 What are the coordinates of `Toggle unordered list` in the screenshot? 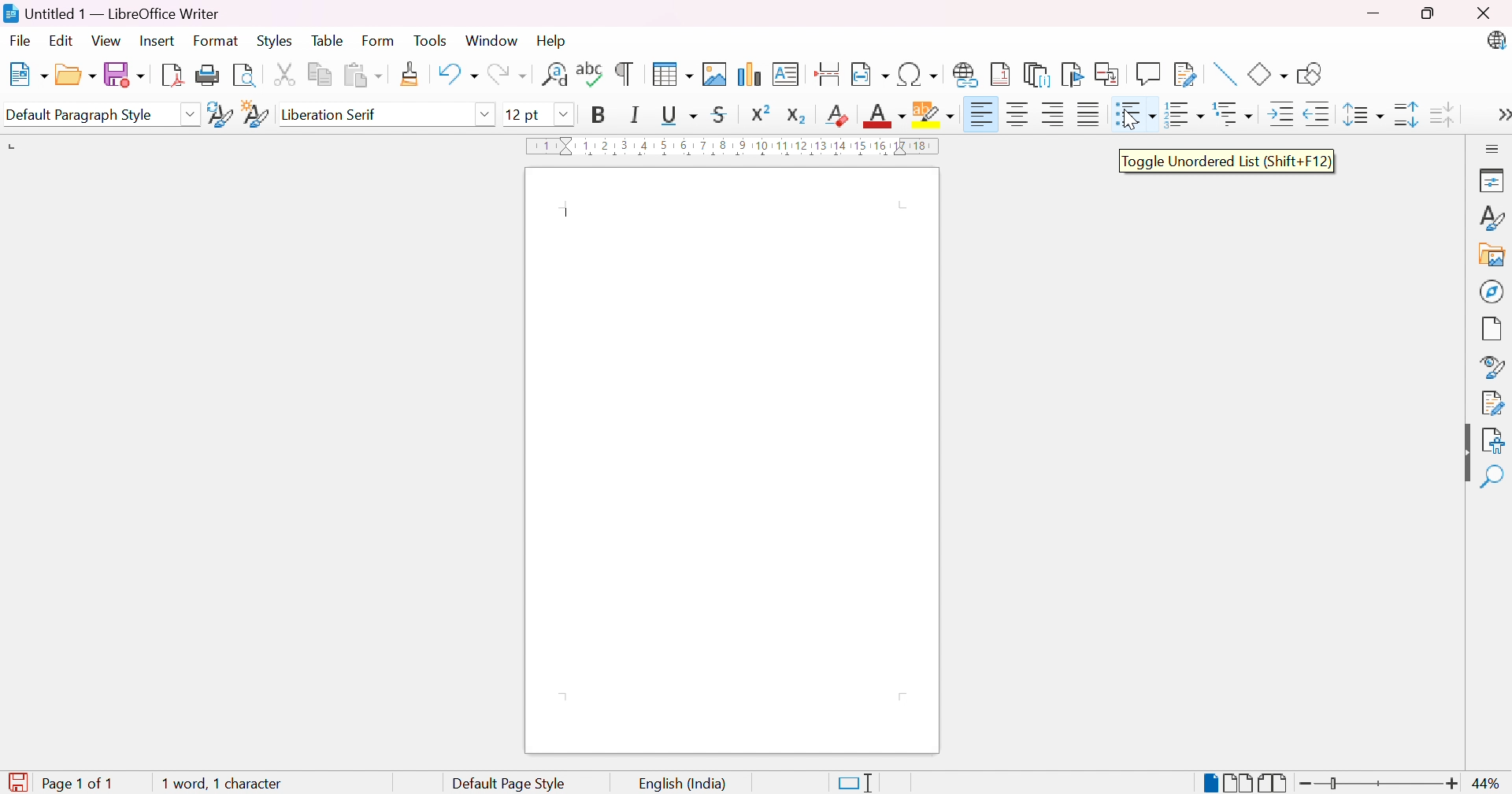 It's located at (1136, 114).